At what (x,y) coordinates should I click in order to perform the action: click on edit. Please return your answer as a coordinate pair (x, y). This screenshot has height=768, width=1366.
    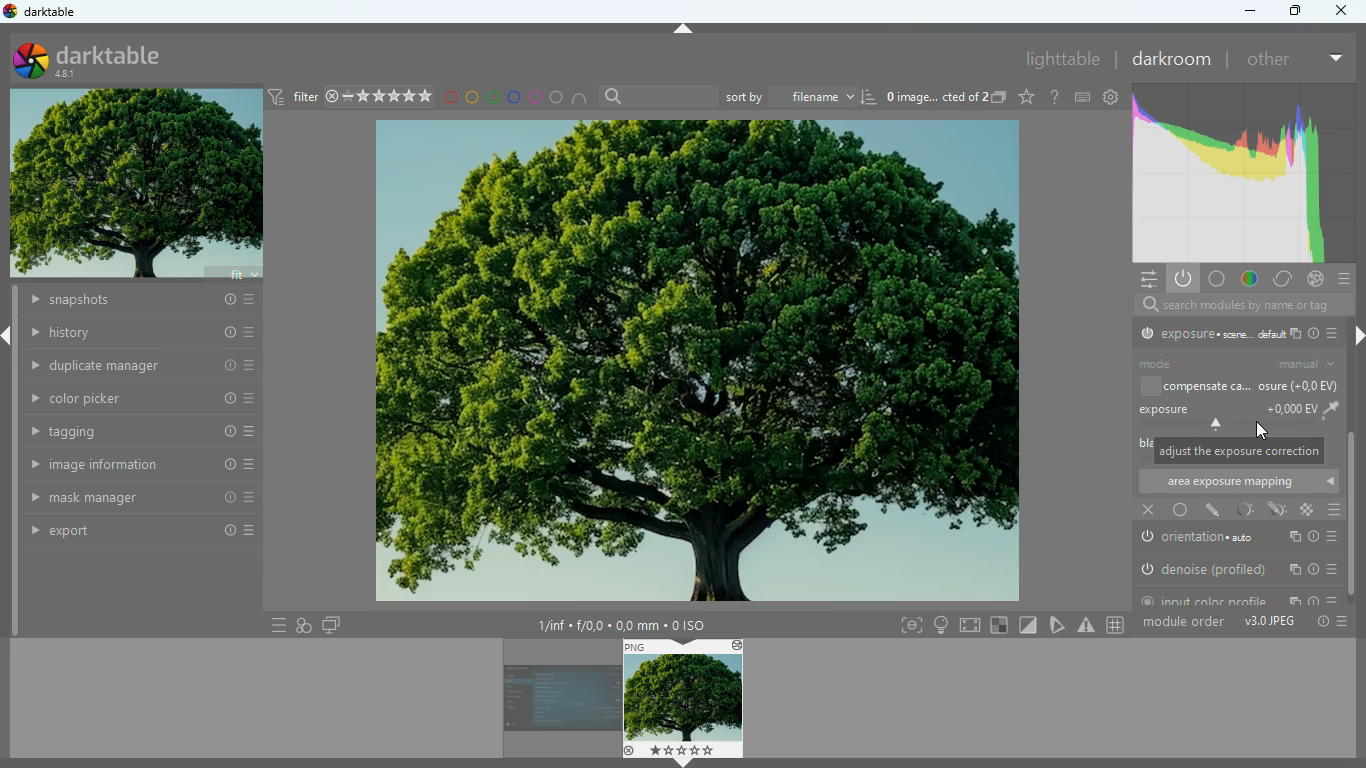
    Looking at the image, I should click on (1211, 510).